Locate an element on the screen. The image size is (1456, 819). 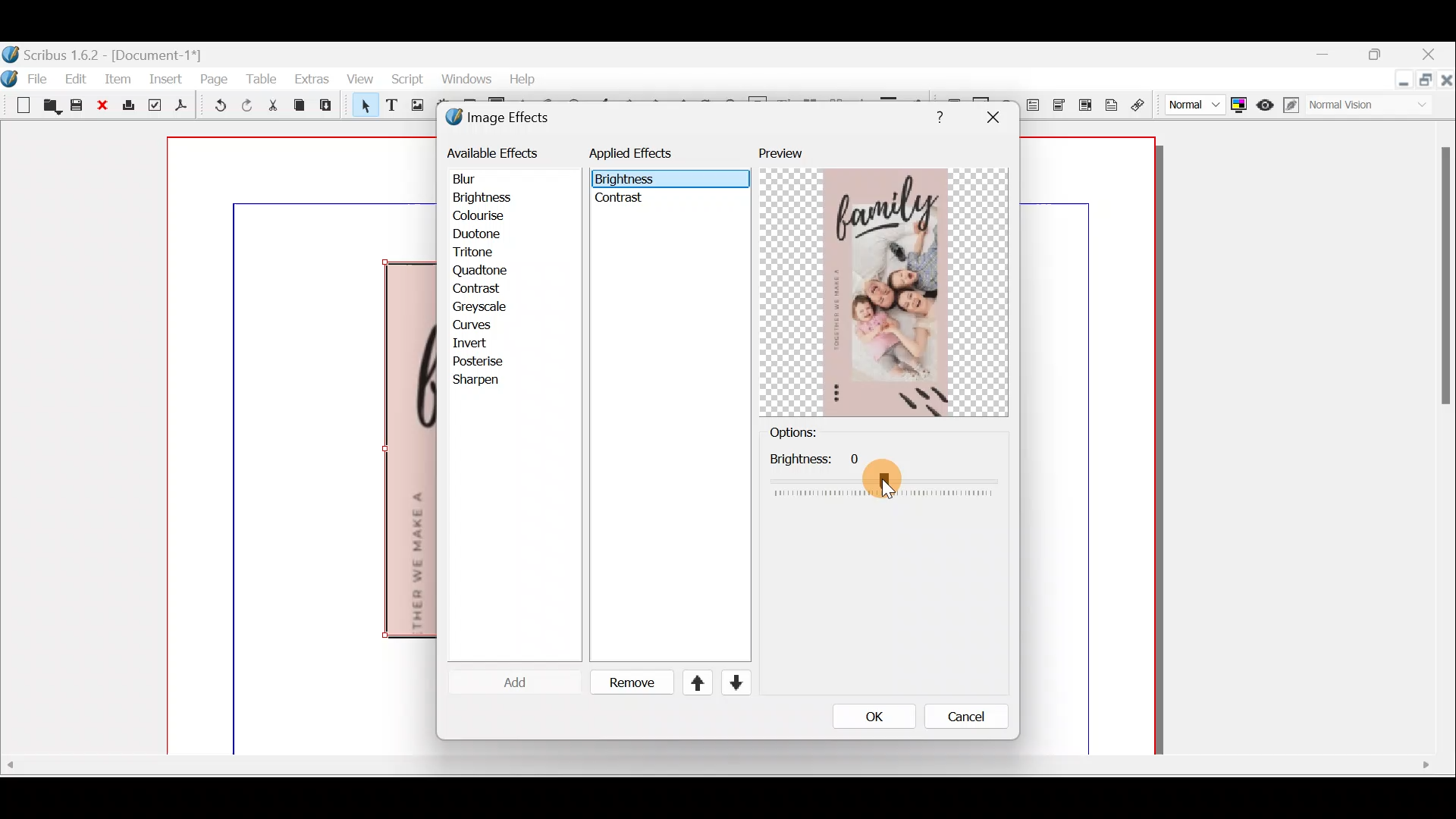
Table is located at coordinates (260, 79).